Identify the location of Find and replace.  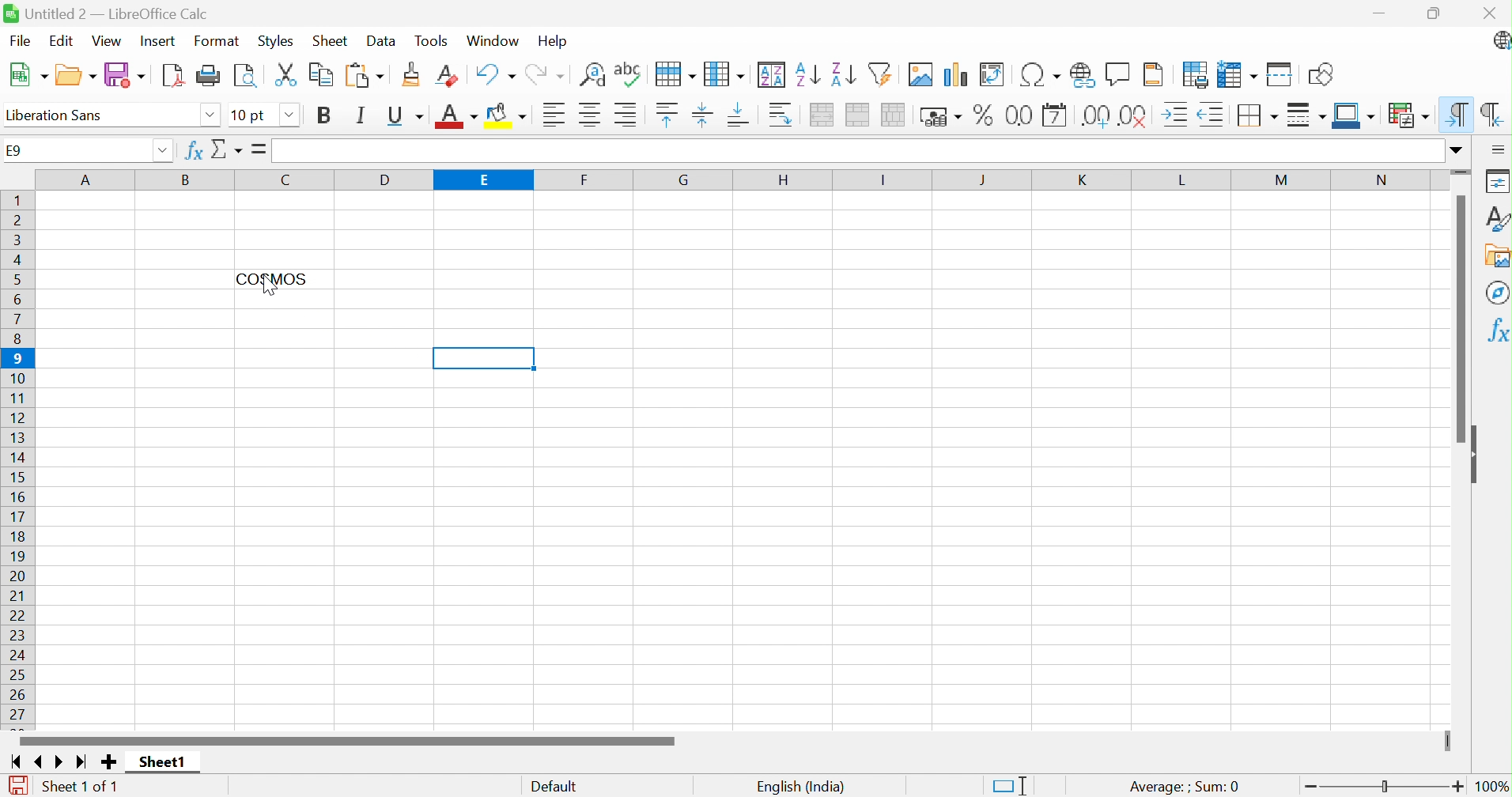
(592, 75).